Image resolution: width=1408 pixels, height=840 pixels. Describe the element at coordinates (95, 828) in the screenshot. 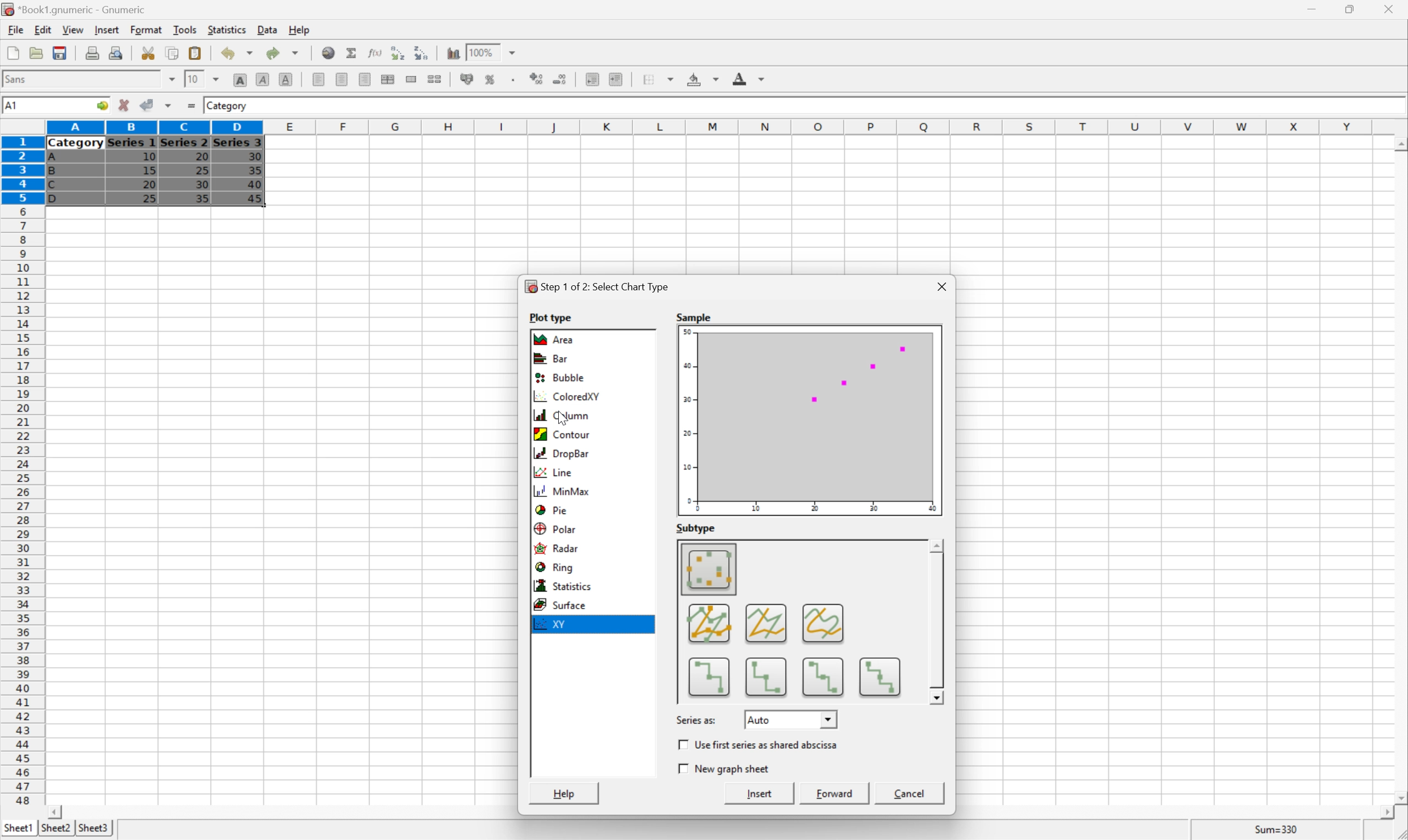

I see `Sheet3` at that location.